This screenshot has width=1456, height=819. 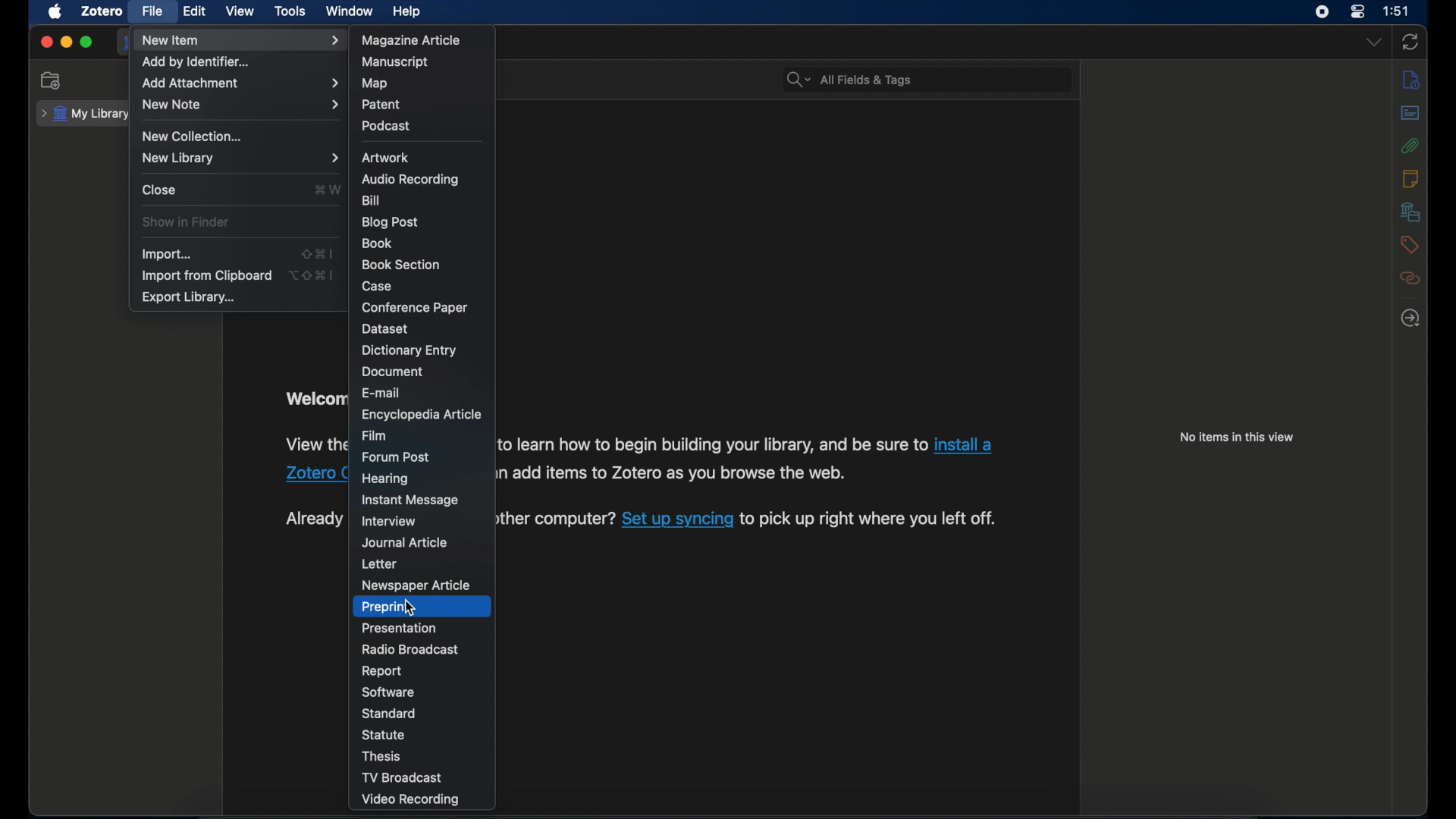 I want to click on add items to Zotero as you browse the web., so click(x=680, y=475).